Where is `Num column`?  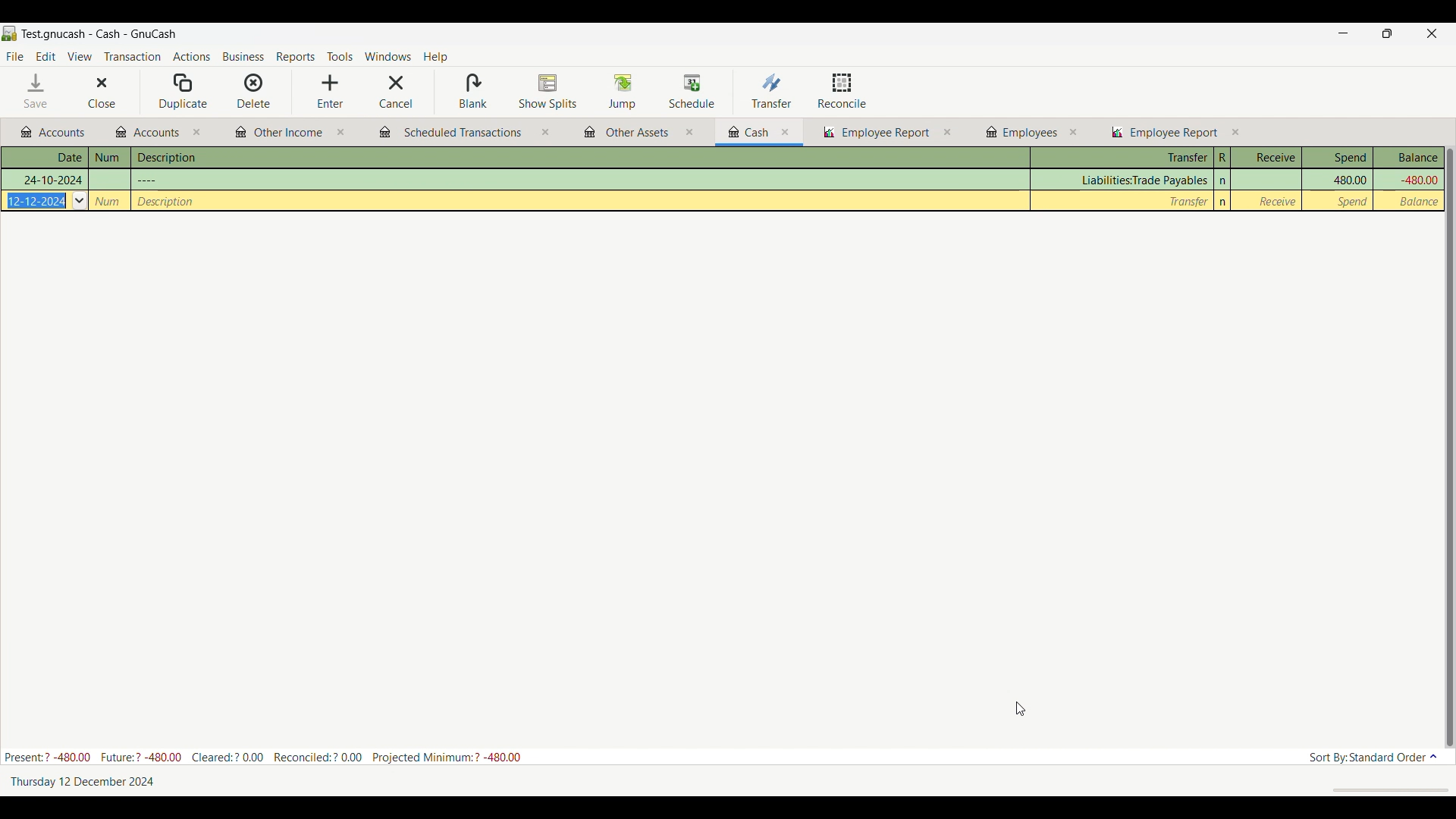
Num column is located at coordinates (109, 158).